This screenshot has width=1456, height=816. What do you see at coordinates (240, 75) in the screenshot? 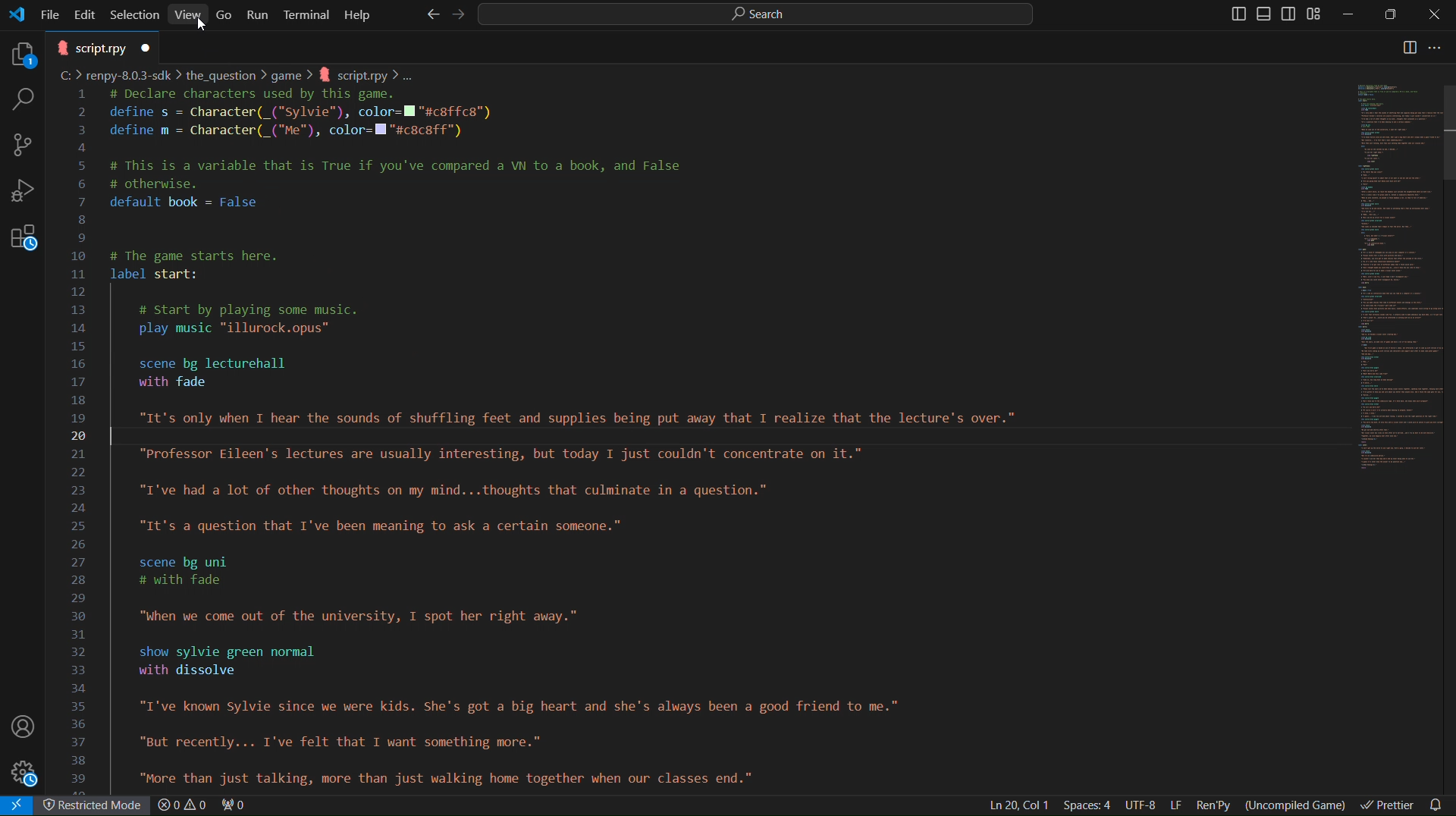
I see `C: > renpy-8.0.3-sdk > the_question > game > 8 scriptrpy > ...` at bounding box center [240, 75].